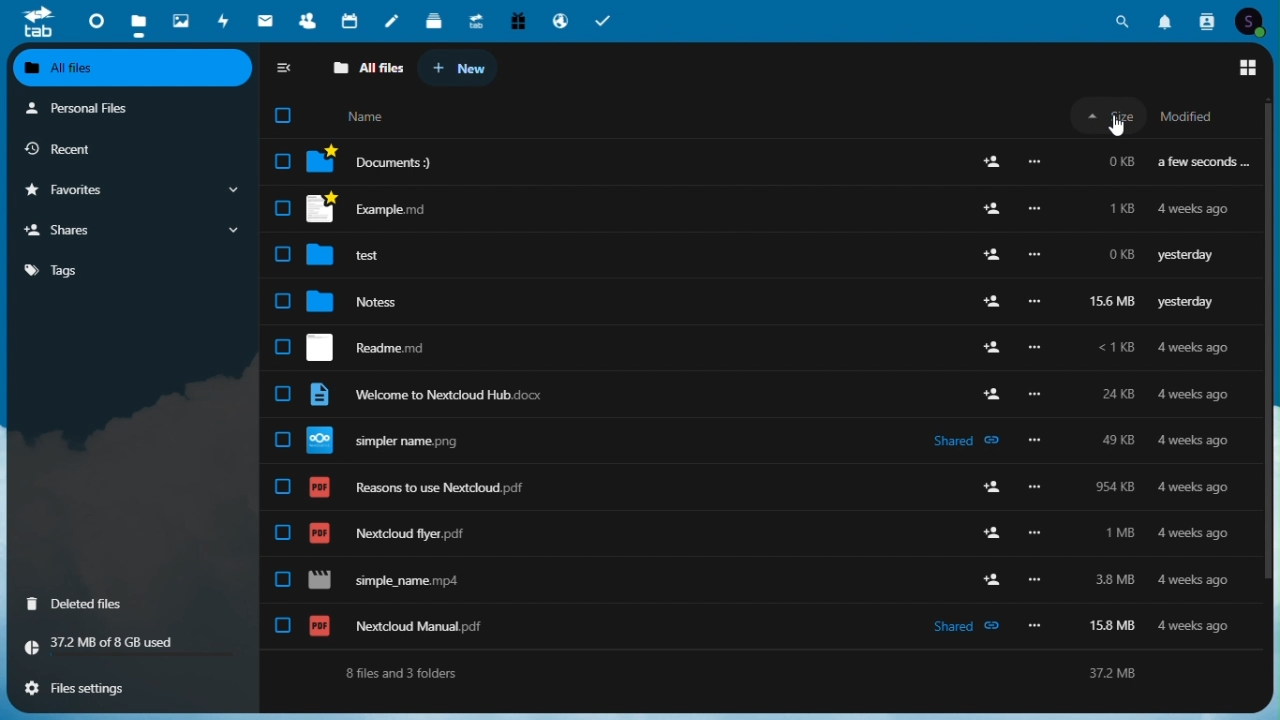 The width and height of the screenshot is (1280, 720). Describe the element at coordinates (223, 21) in the screenshot. I see `activity` at that location.